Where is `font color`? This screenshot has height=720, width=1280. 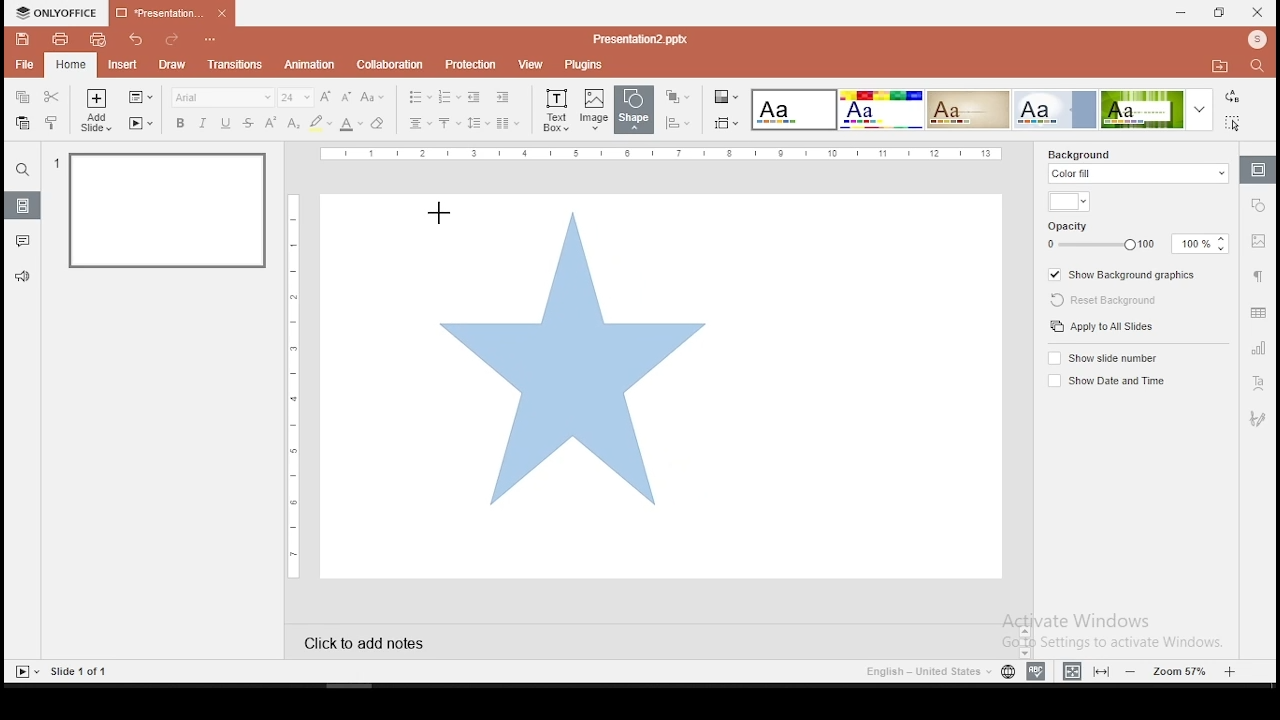
font color is located at coordinates (351, 124).